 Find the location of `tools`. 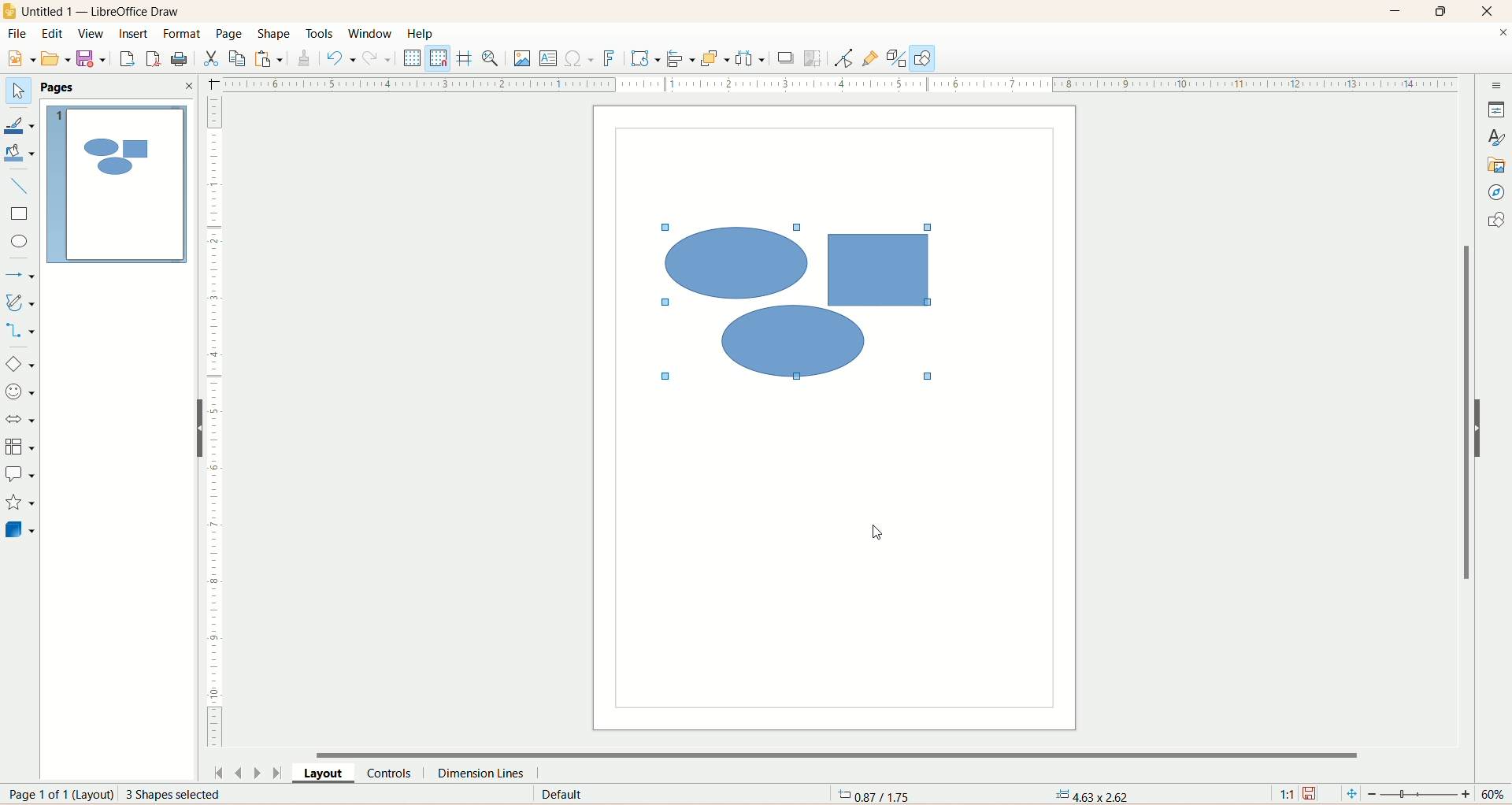

tools is located at coordinates (320, 33).